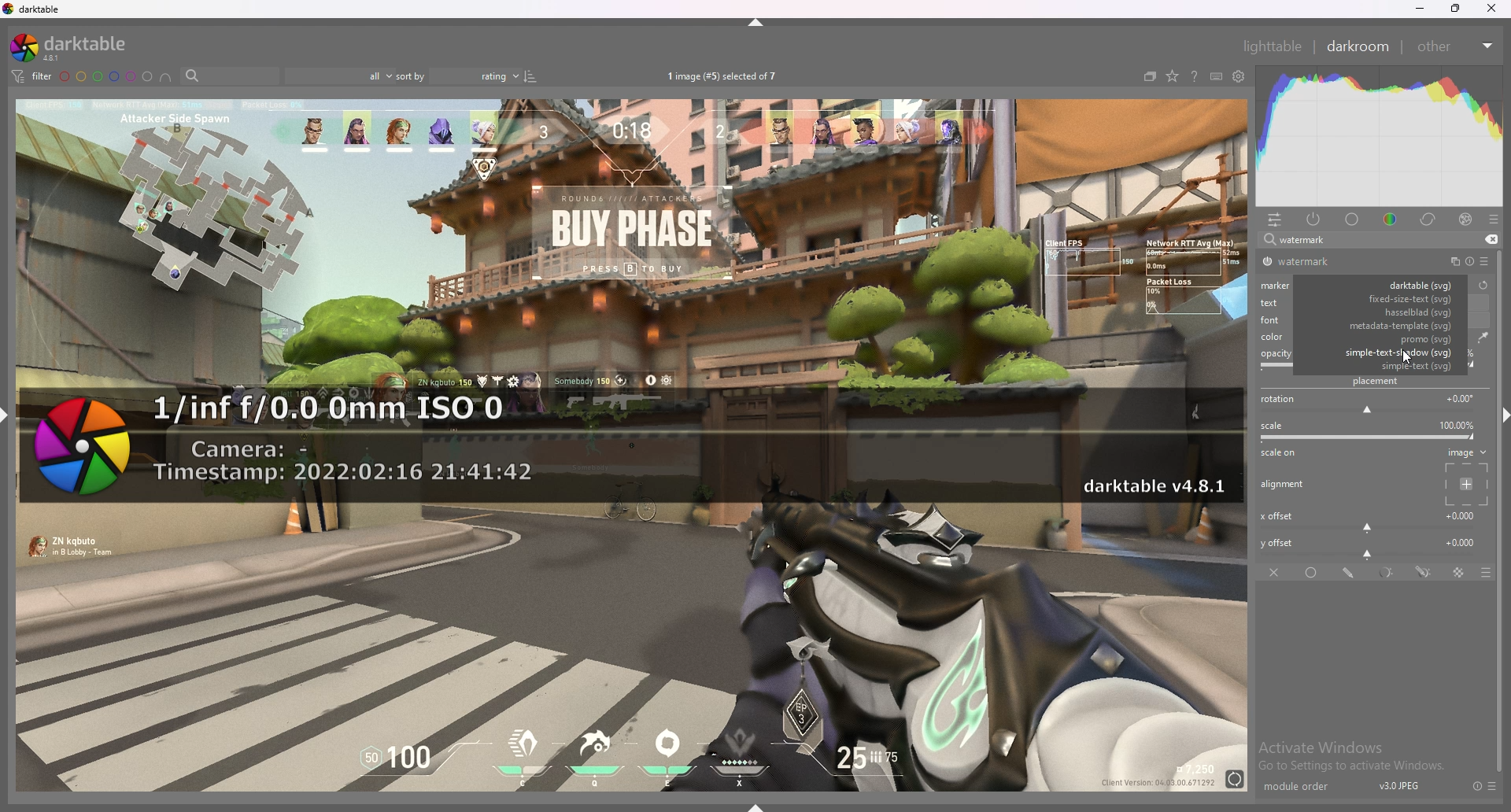  What do you see at coordinates (1387, 366) in the screenshot?
I see `simple text svg` at bounding box center [1387, 366].